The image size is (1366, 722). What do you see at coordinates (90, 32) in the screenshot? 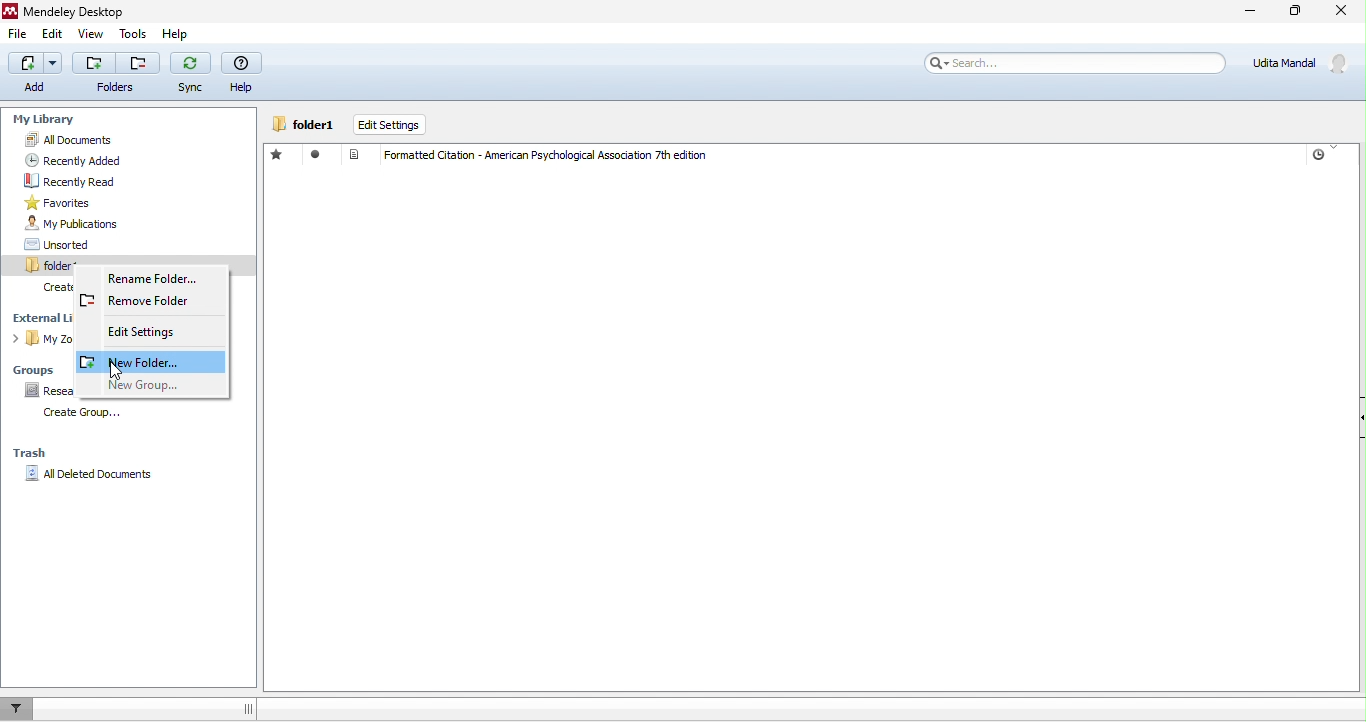
I see `view` at bounding box center [90, 32].